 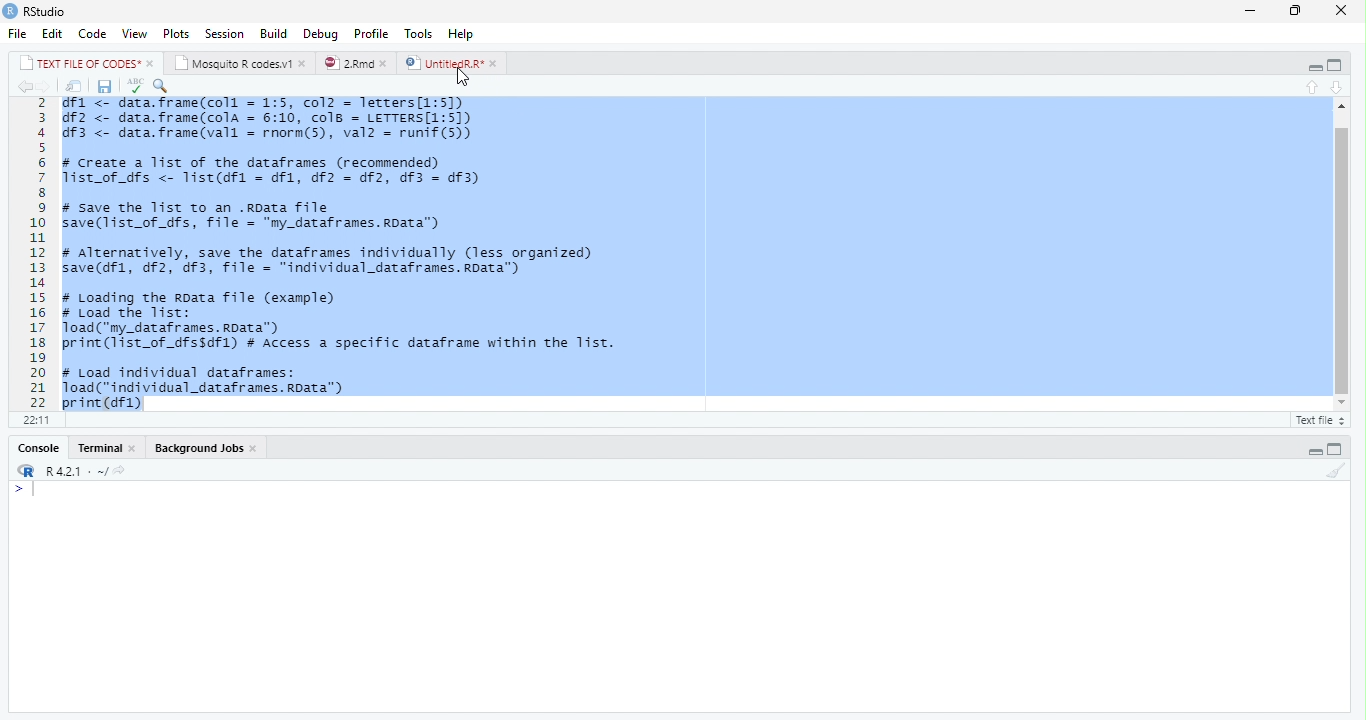 I want to click on TEXT FILE OF CODES*, so click(x=84, y=62).